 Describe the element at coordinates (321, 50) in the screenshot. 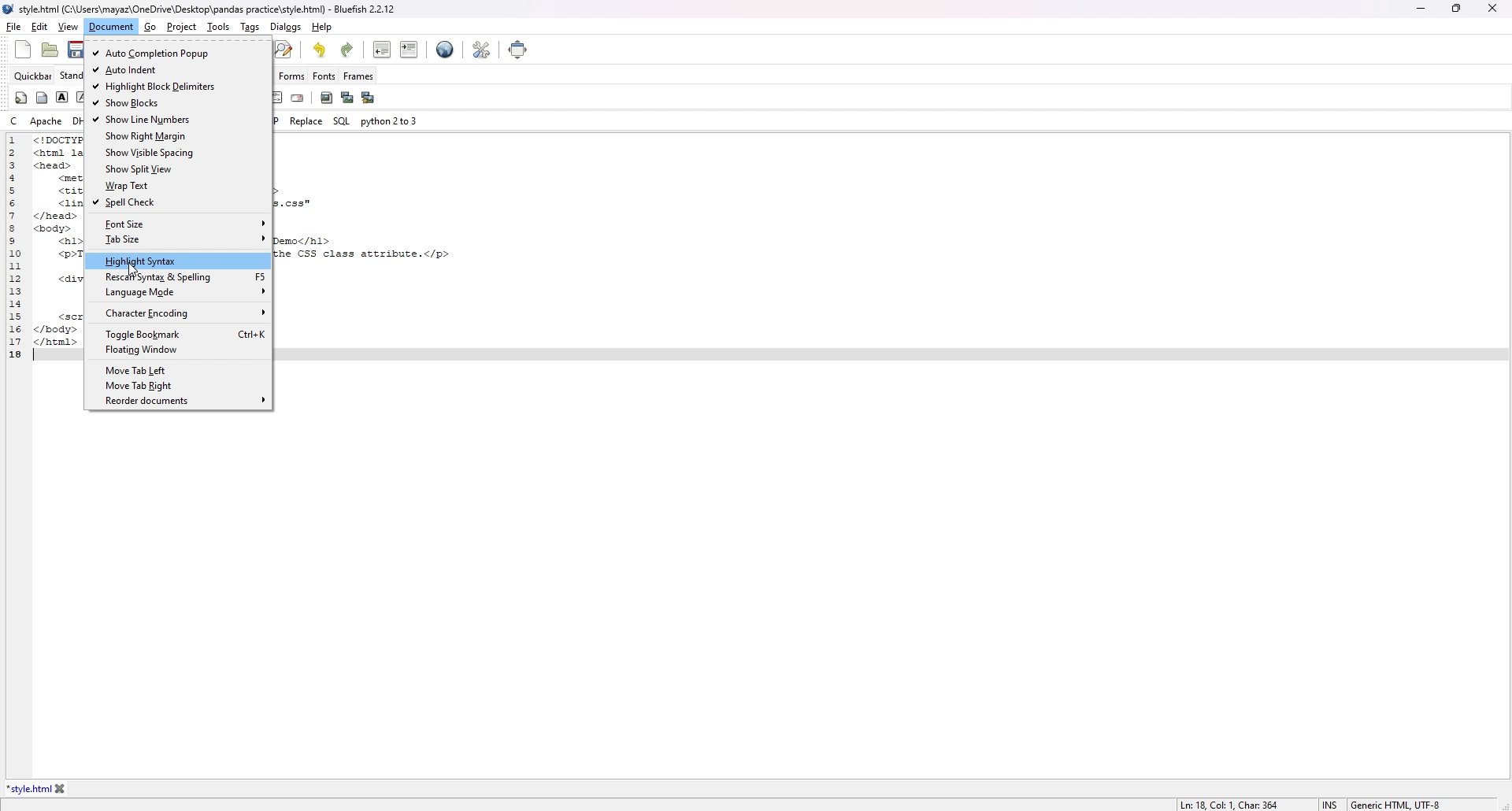

I see `undo` at that location.